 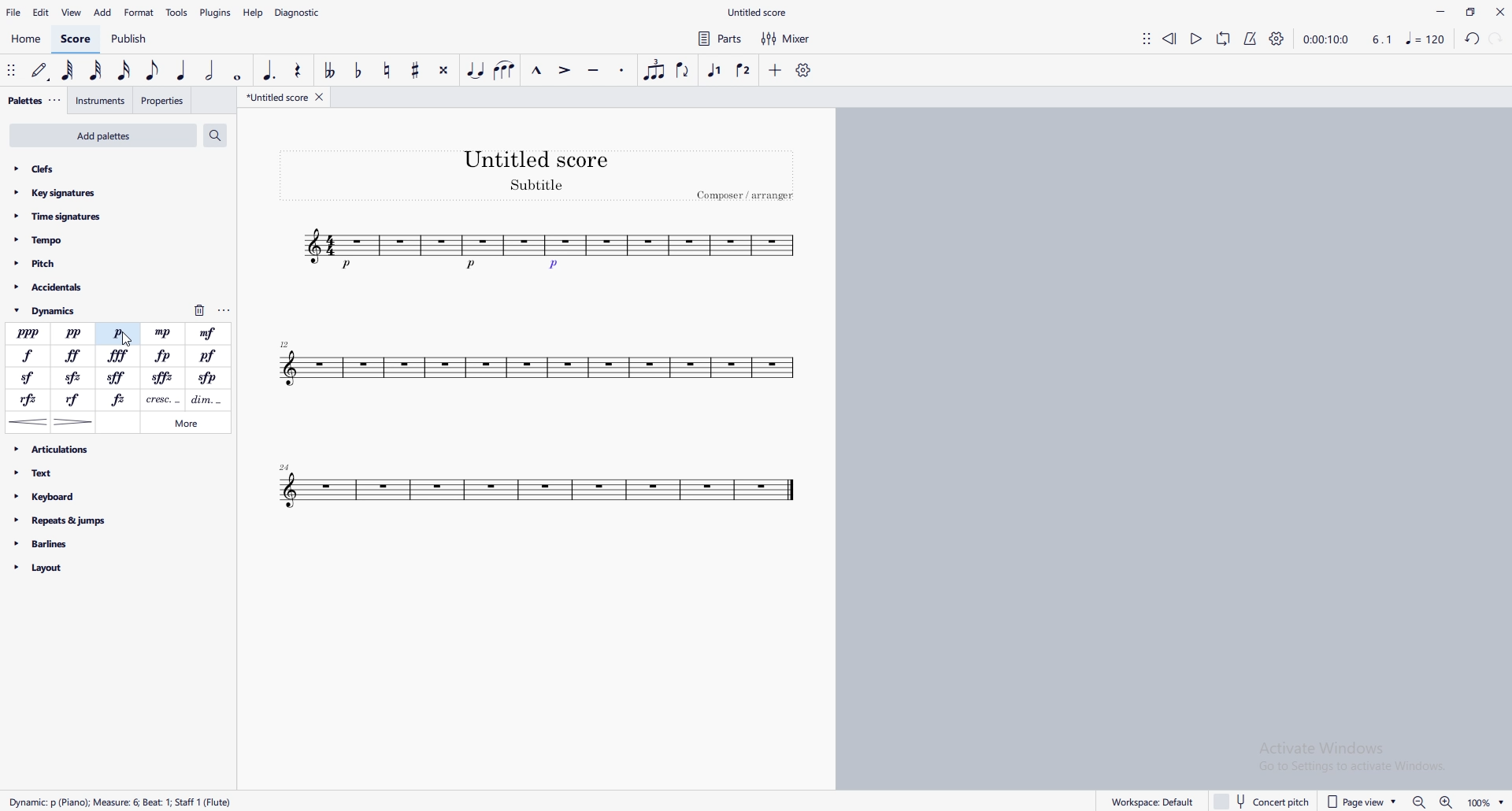 I want to click on add palettes, so click(x=103, y=135).